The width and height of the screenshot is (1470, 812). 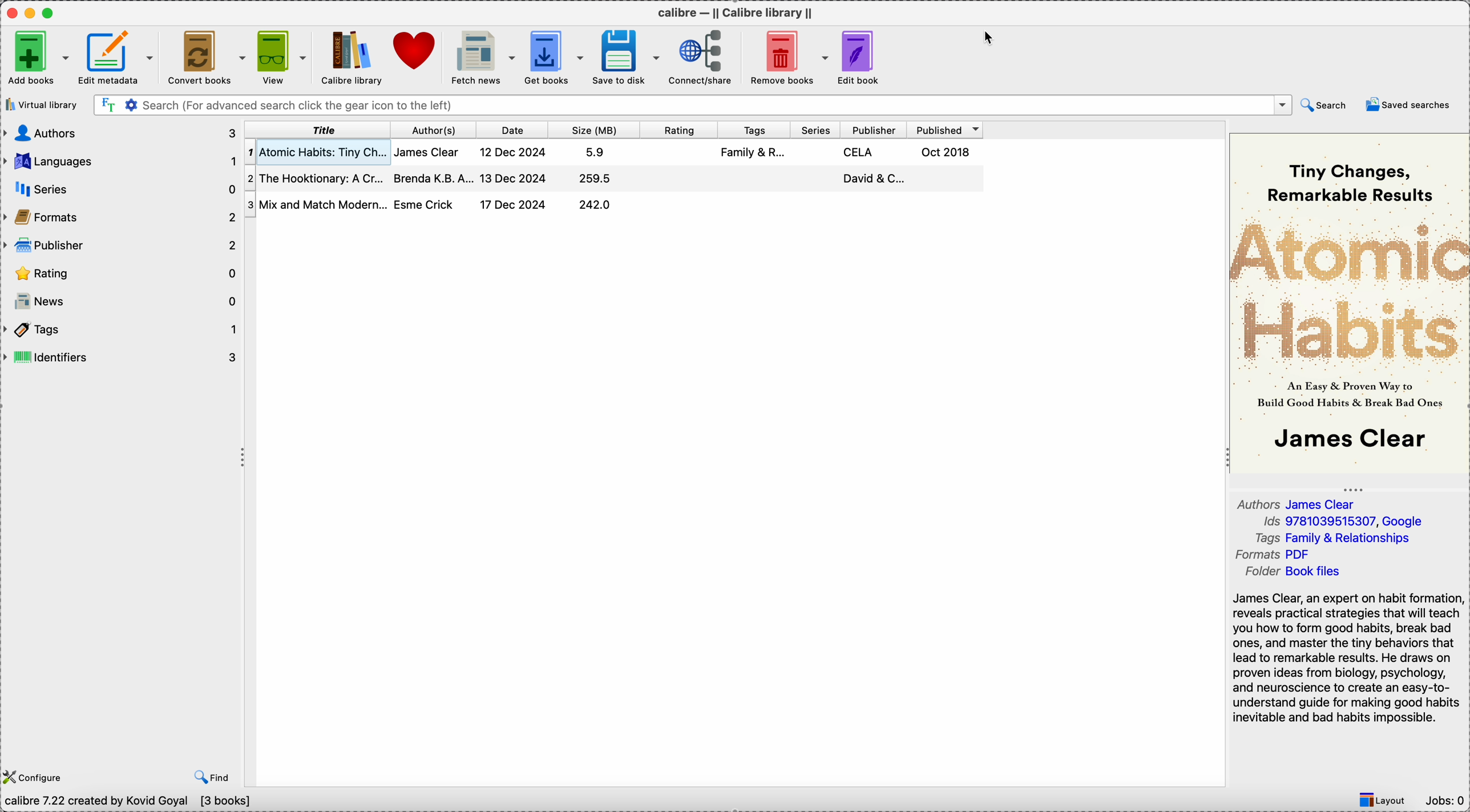 I want to click on Jobs: 0, so click(x=1444, y=802).